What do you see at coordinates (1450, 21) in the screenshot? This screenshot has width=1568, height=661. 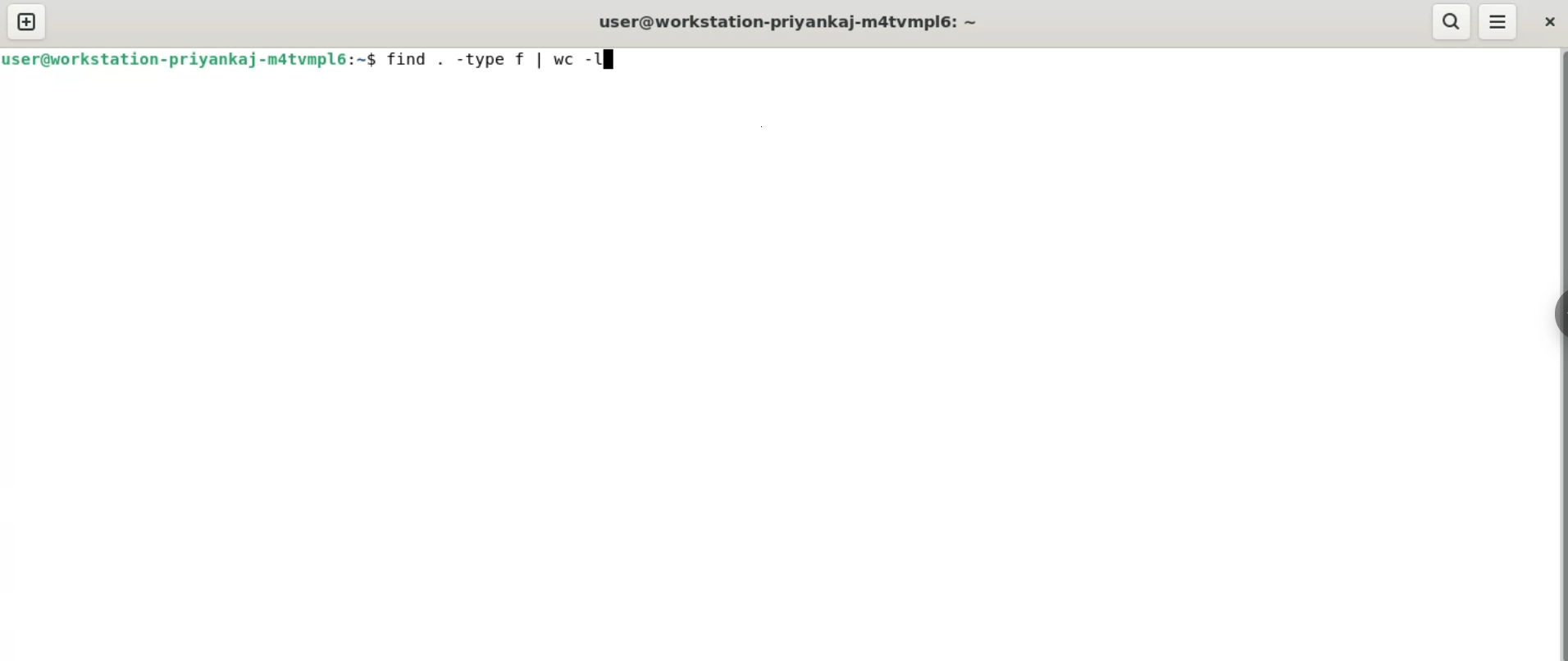 I see `search` at bounding box center [1450, 21].